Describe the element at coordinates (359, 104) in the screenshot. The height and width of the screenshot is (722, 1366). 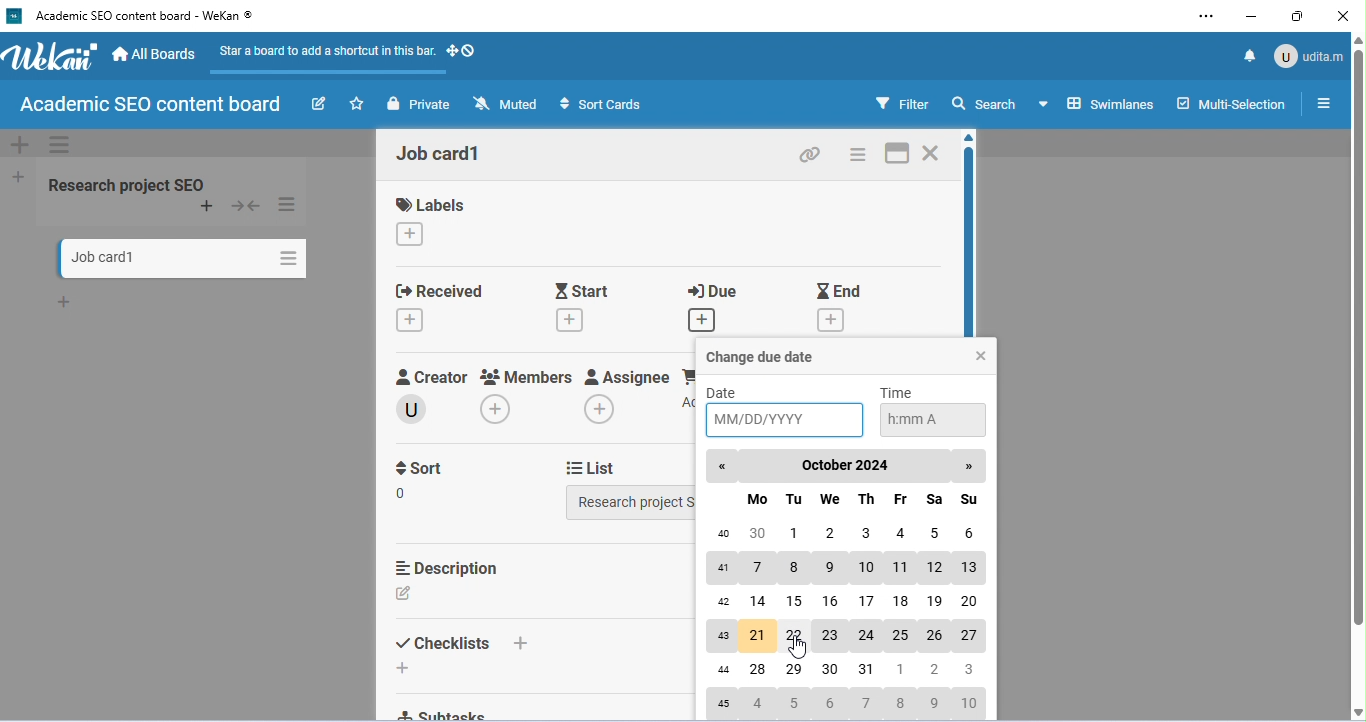
I see `star a board` at that location.